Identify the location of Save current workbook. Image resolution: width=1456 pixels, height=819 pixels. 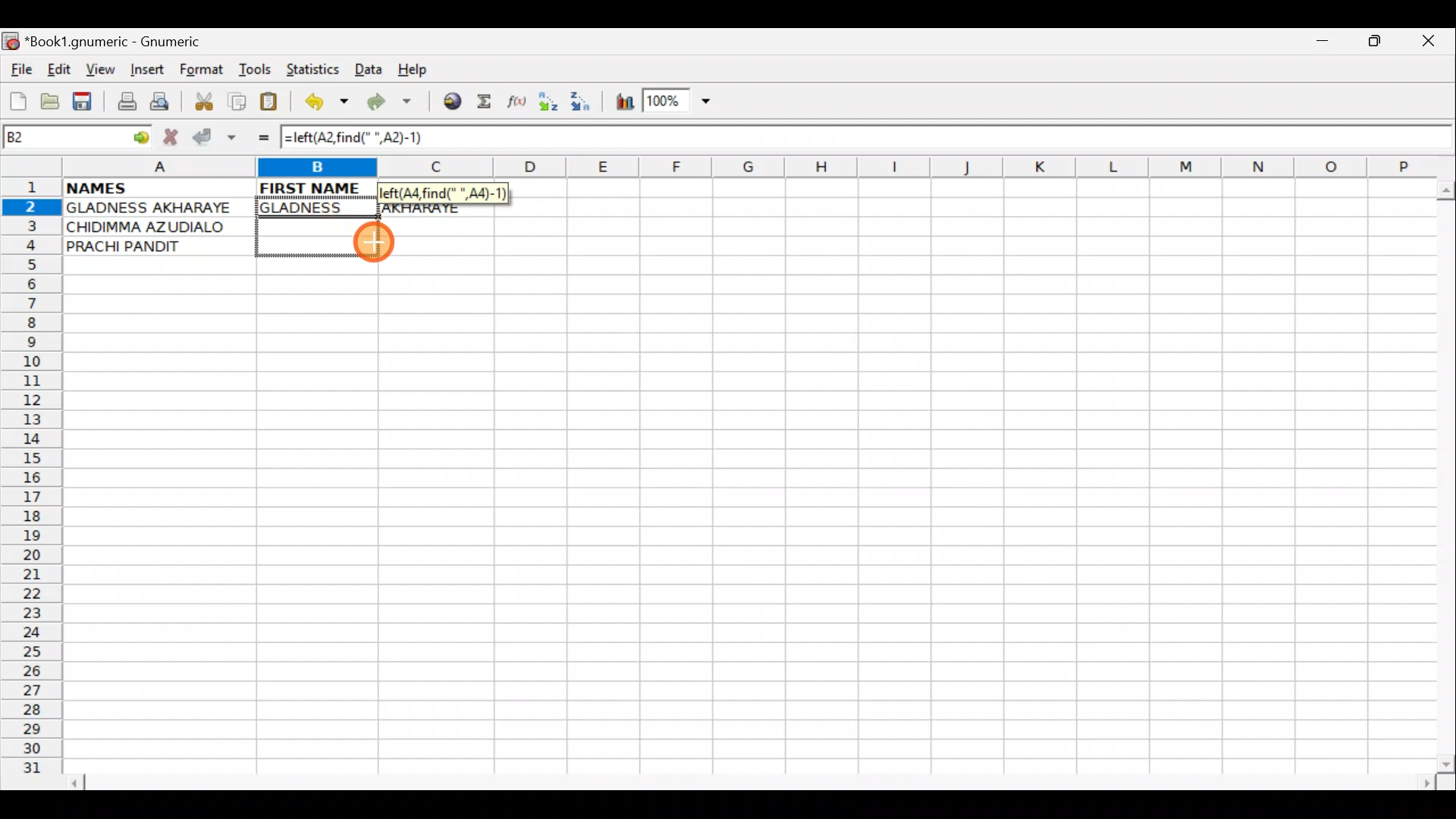
(86, 102).